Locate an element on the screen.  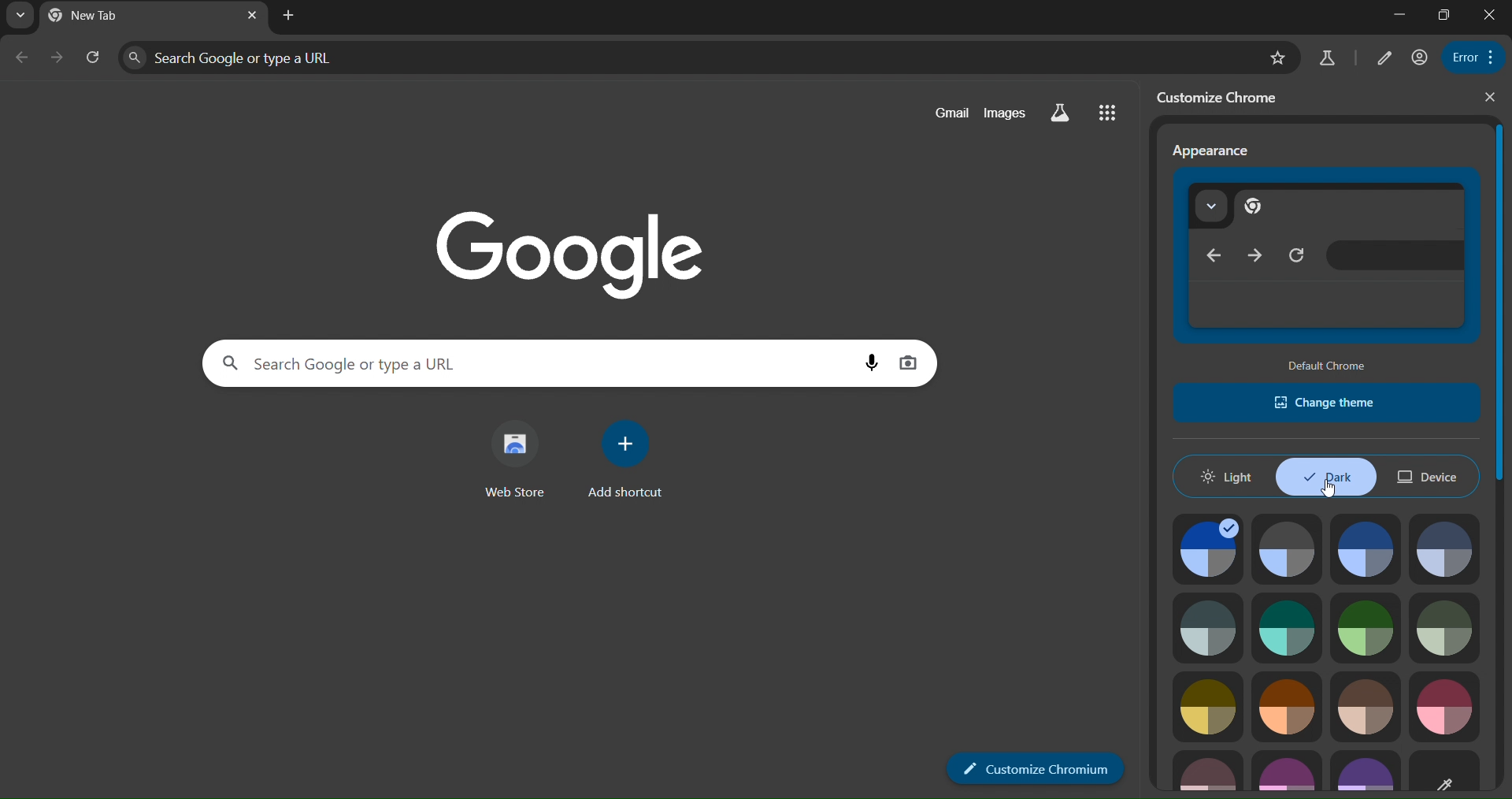
scrollbar is located at coordinates (1499, 307).